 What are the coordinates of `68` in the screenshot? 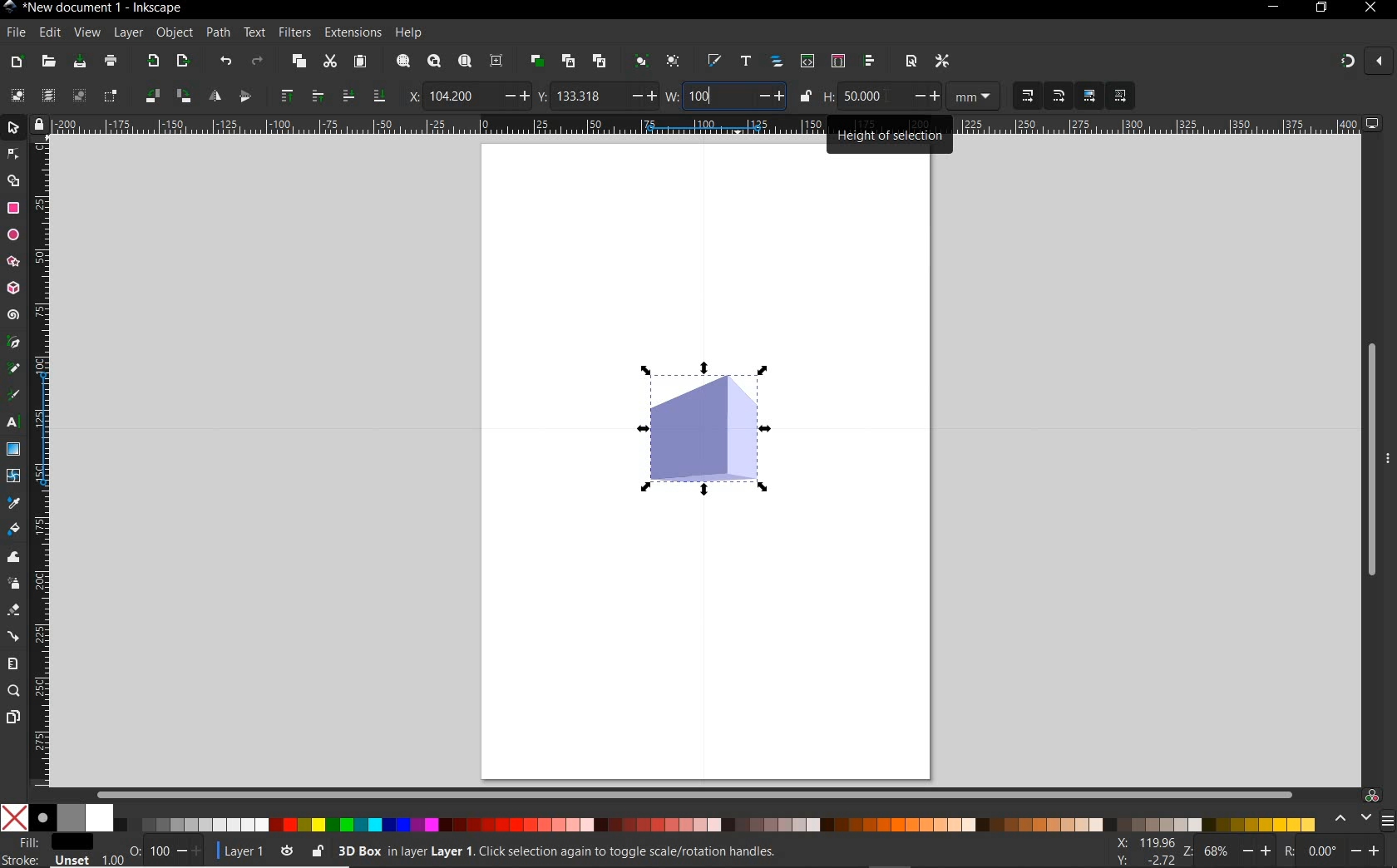 It's located at (1218, 853).